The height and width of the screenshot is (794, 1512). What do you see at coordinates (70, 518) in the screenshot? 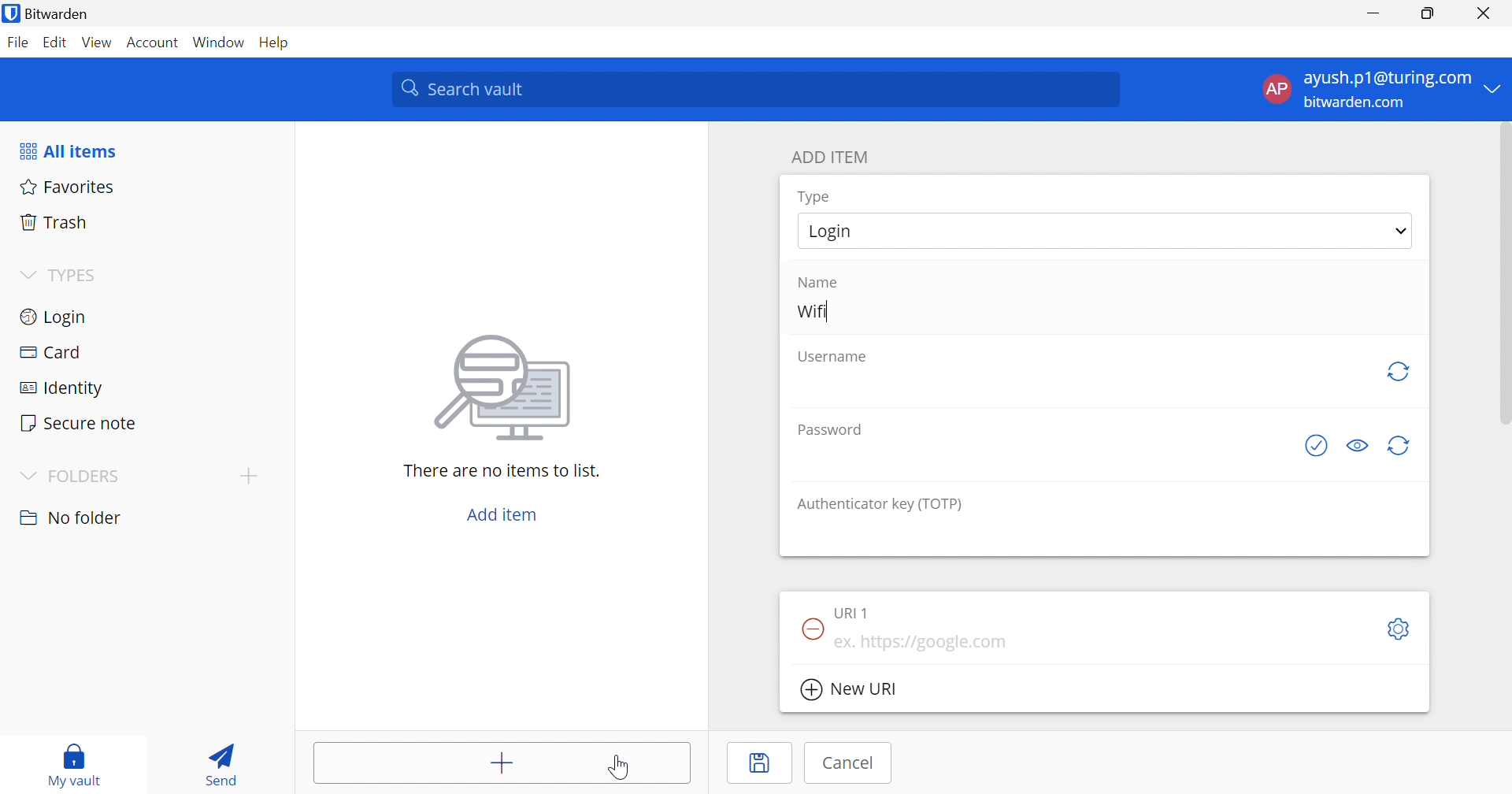
I see `nO FOLDER` at bounding box center [70, 518].